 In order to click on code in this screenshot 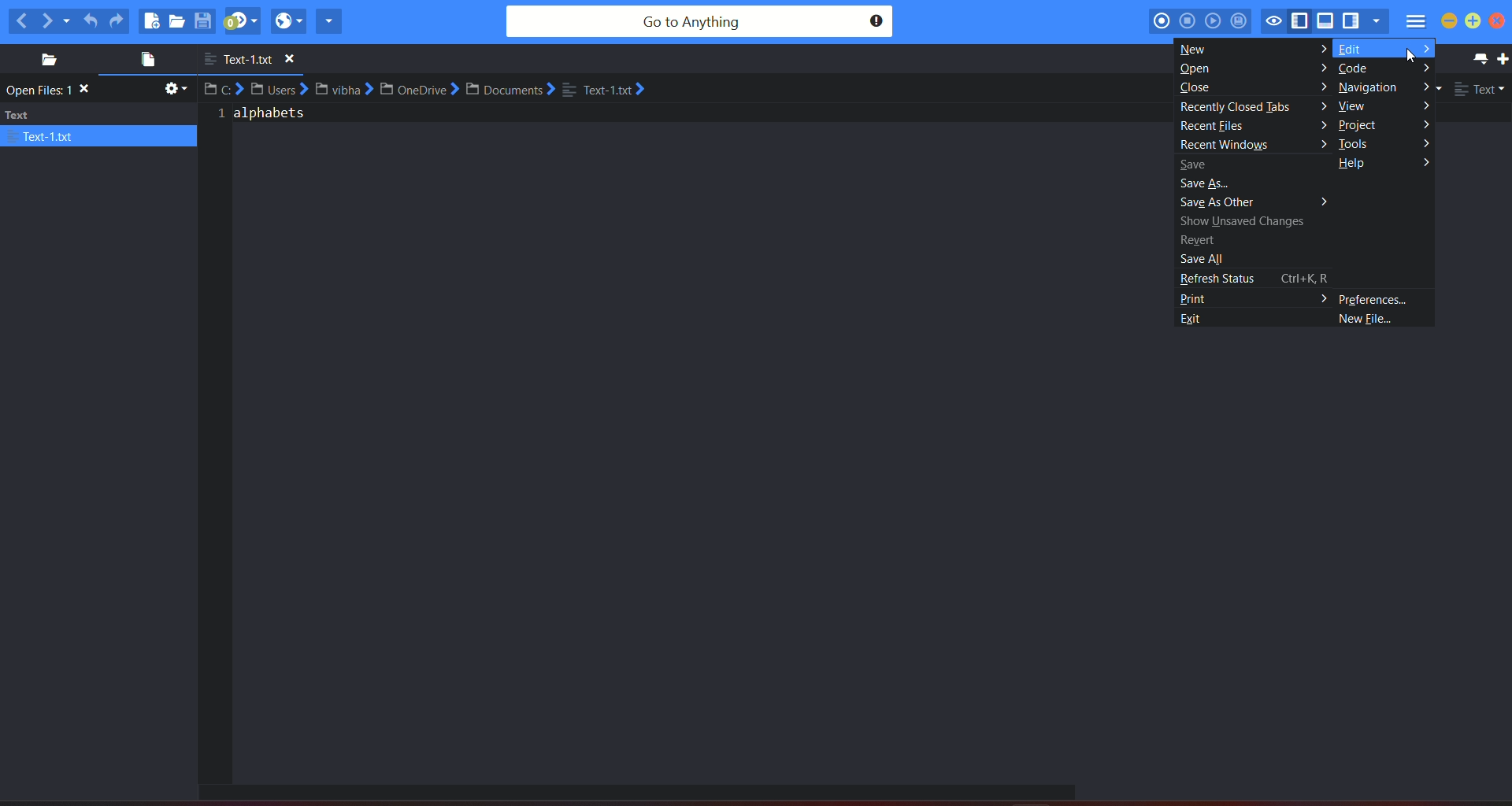, I will do `click(1357, 68)`.